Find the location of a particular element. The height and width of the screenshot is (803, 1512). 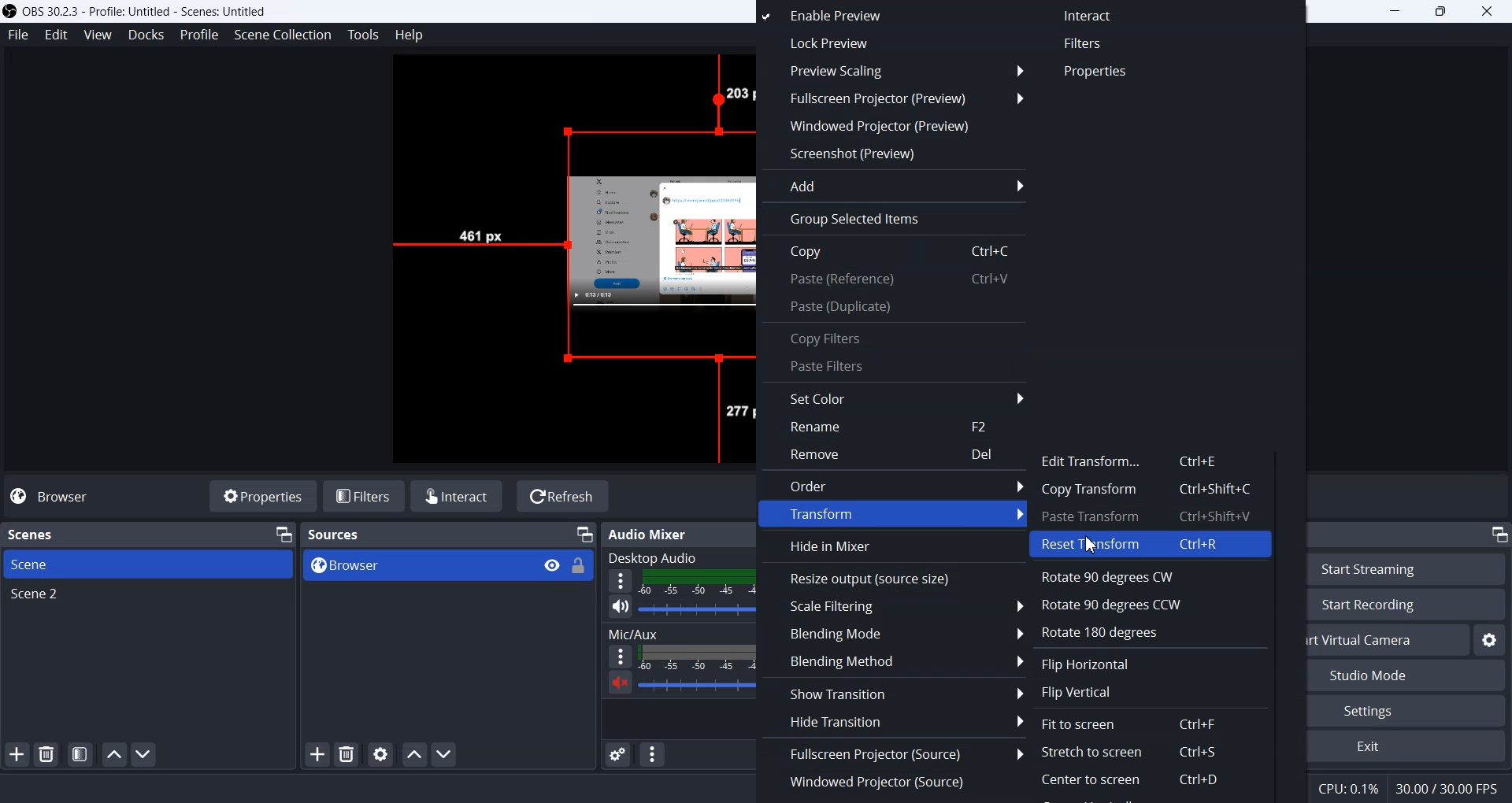

Fit to screen is located at coordinates (1131, 722).